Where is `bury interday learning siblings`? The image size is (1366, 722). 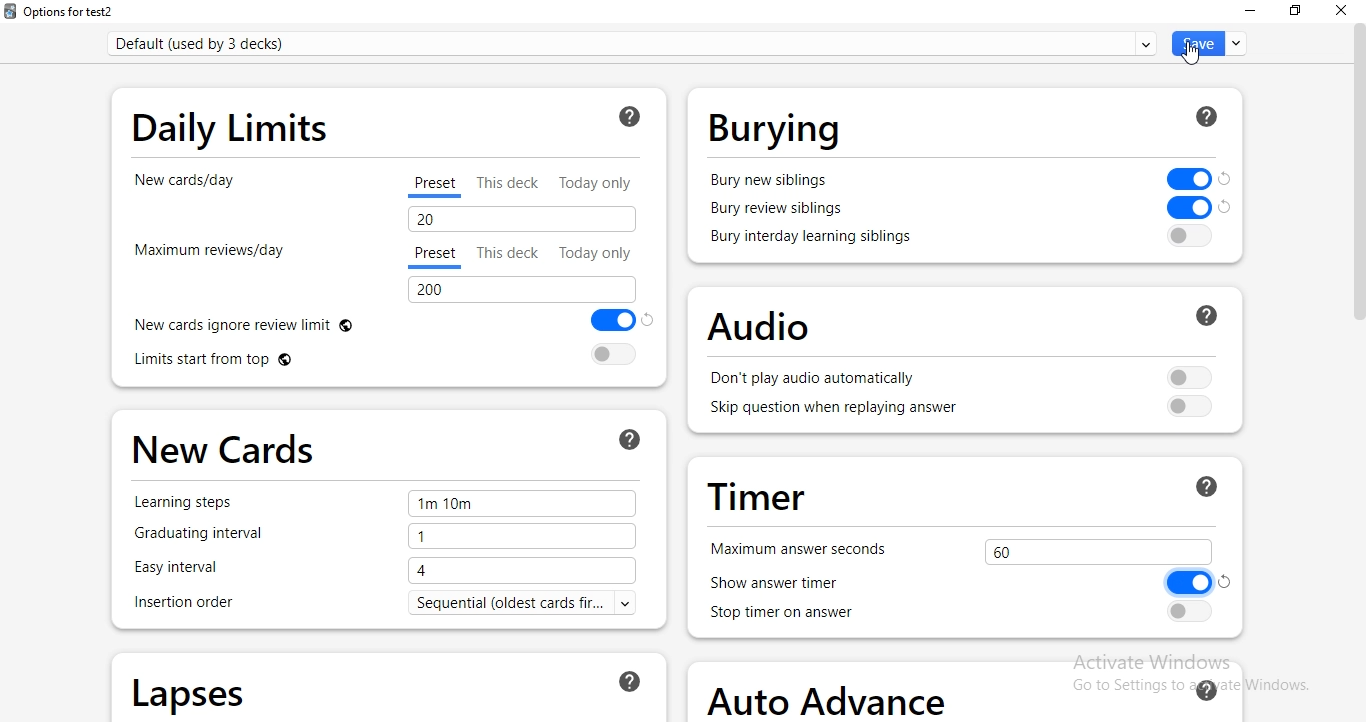
bury interday learning siblings is located at coordinates (937, 241).